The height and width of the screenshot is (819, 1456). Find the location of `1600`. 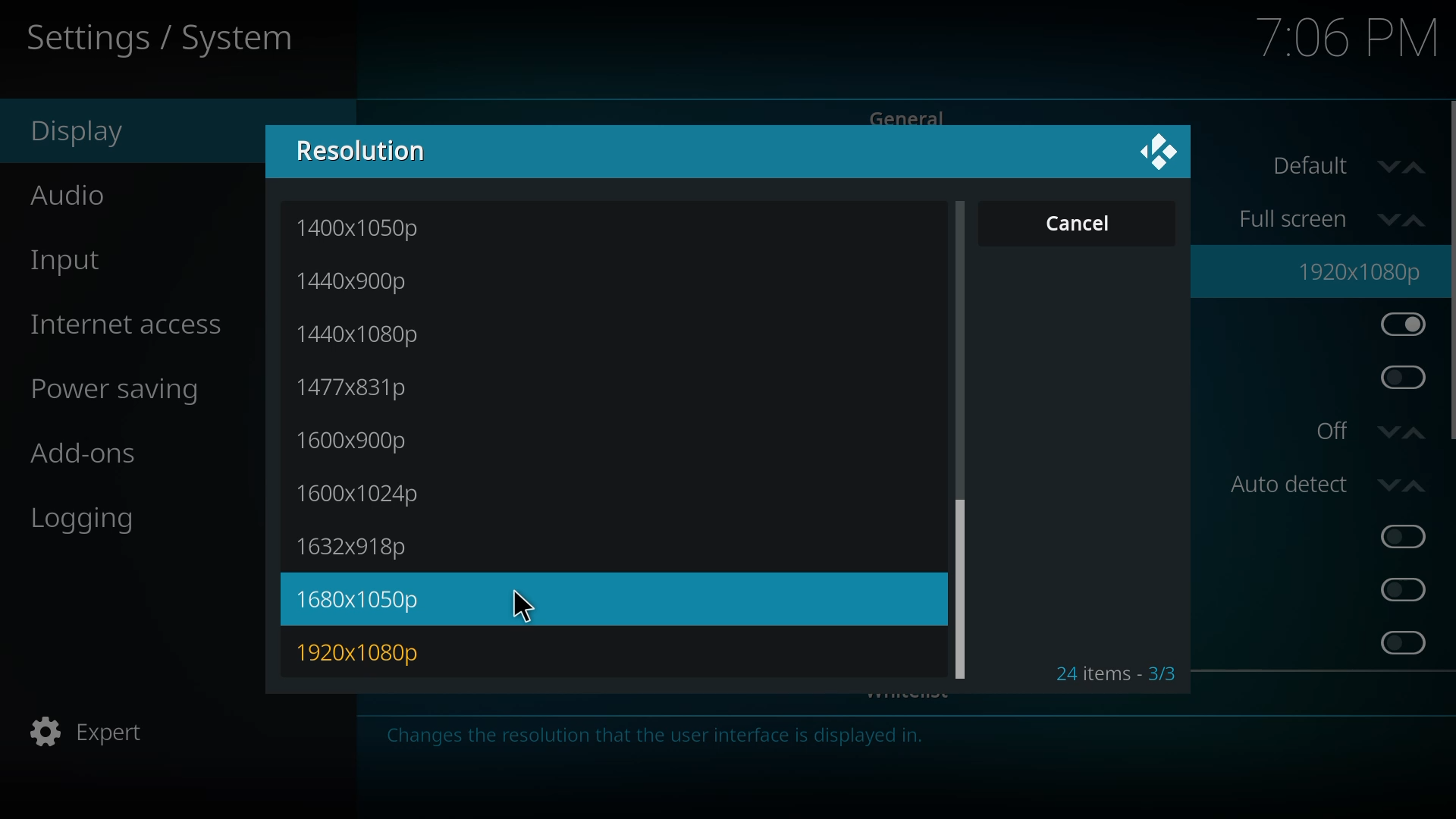

1600 is located at coordinates (359, 439).